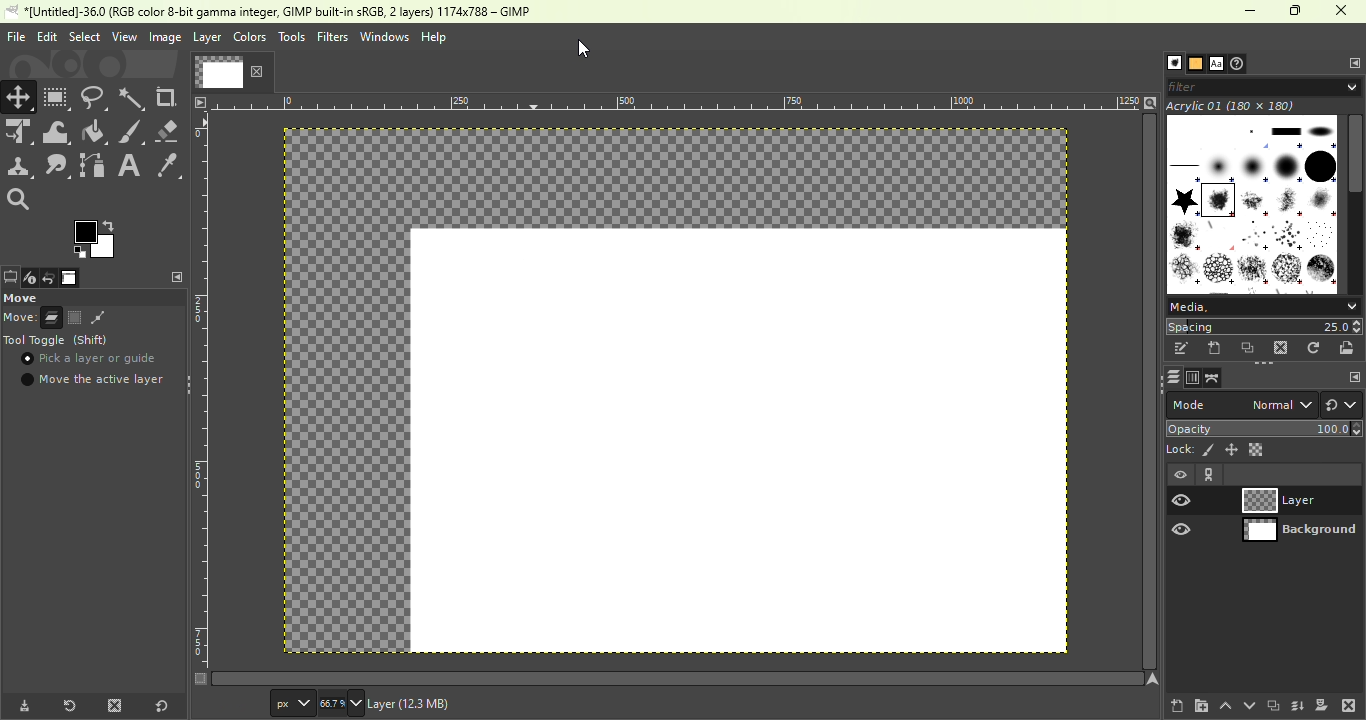 The image size is (1366, 720). I want to click on Free select, so click(92, 297).